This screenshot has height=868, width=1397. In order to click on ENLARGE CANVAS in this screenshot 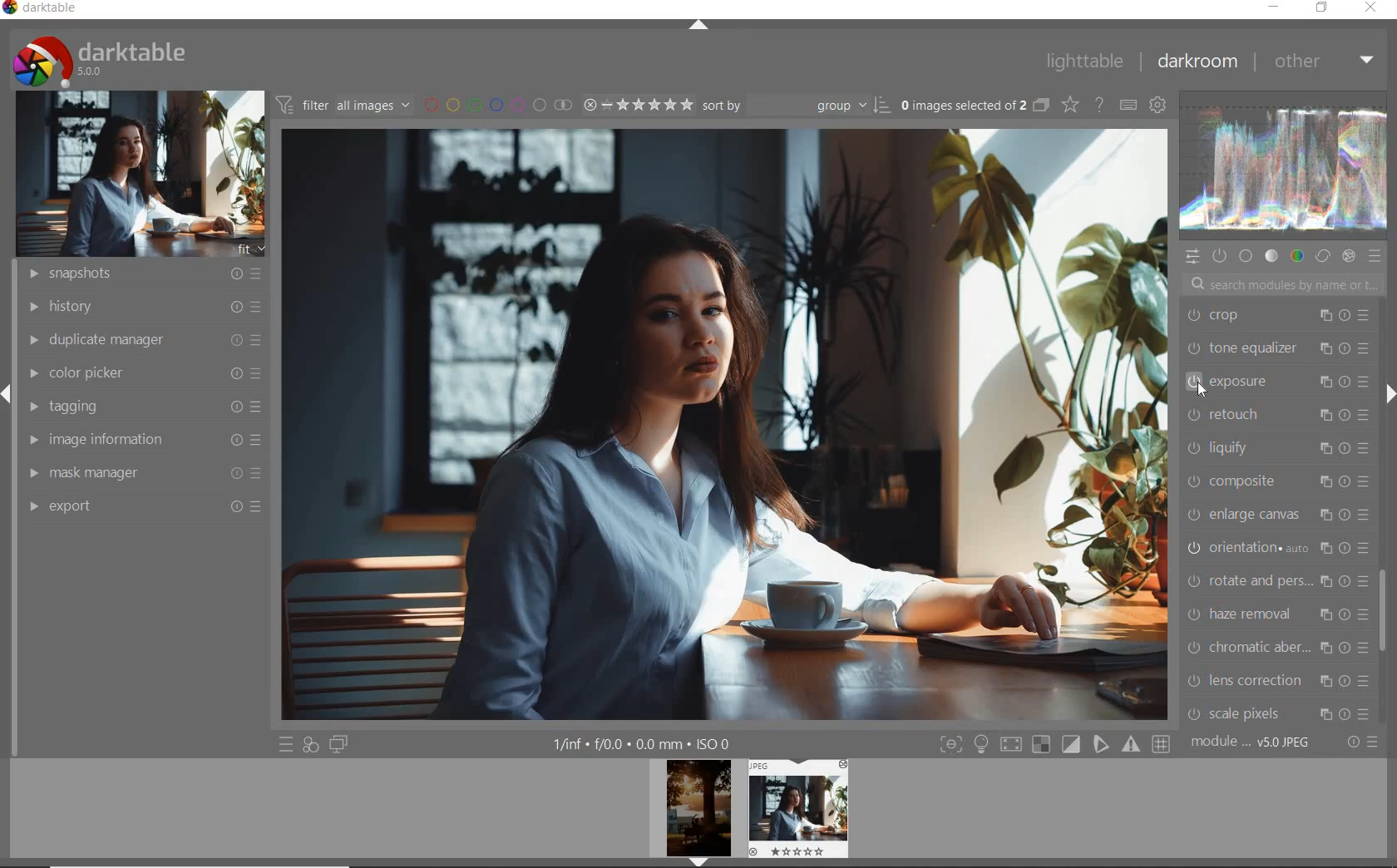, I will do `click(1277, 514)`.